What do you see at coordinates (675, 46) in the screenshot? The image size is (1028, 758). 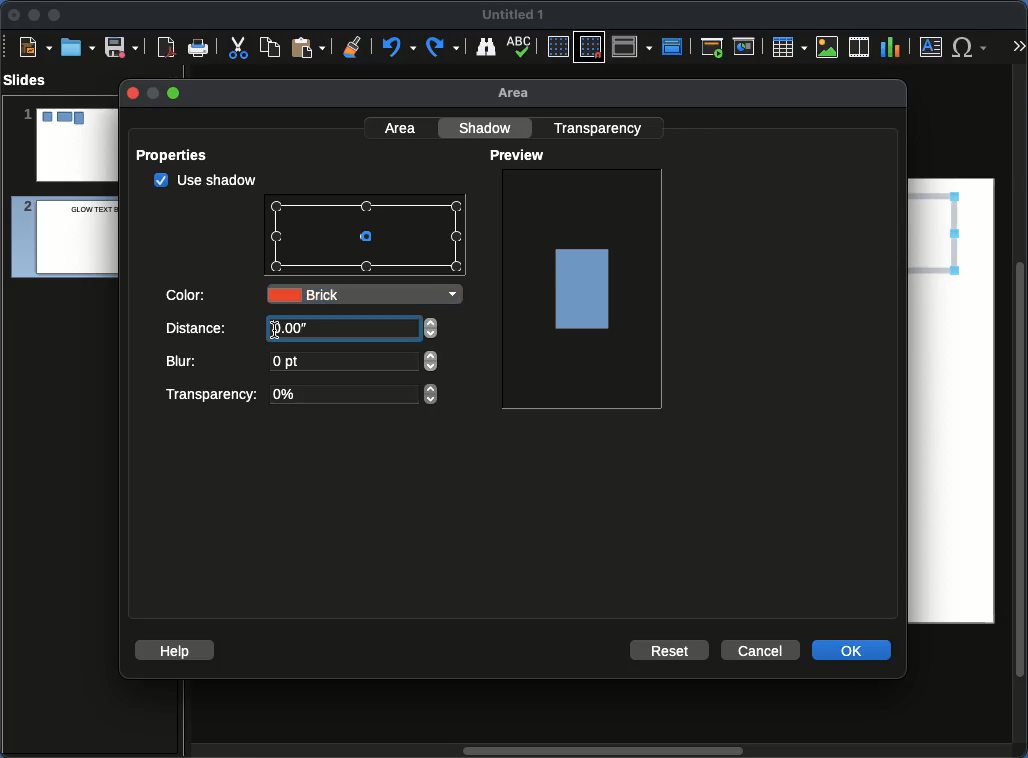 I see `Master slide` at bounding box center [675, 46].